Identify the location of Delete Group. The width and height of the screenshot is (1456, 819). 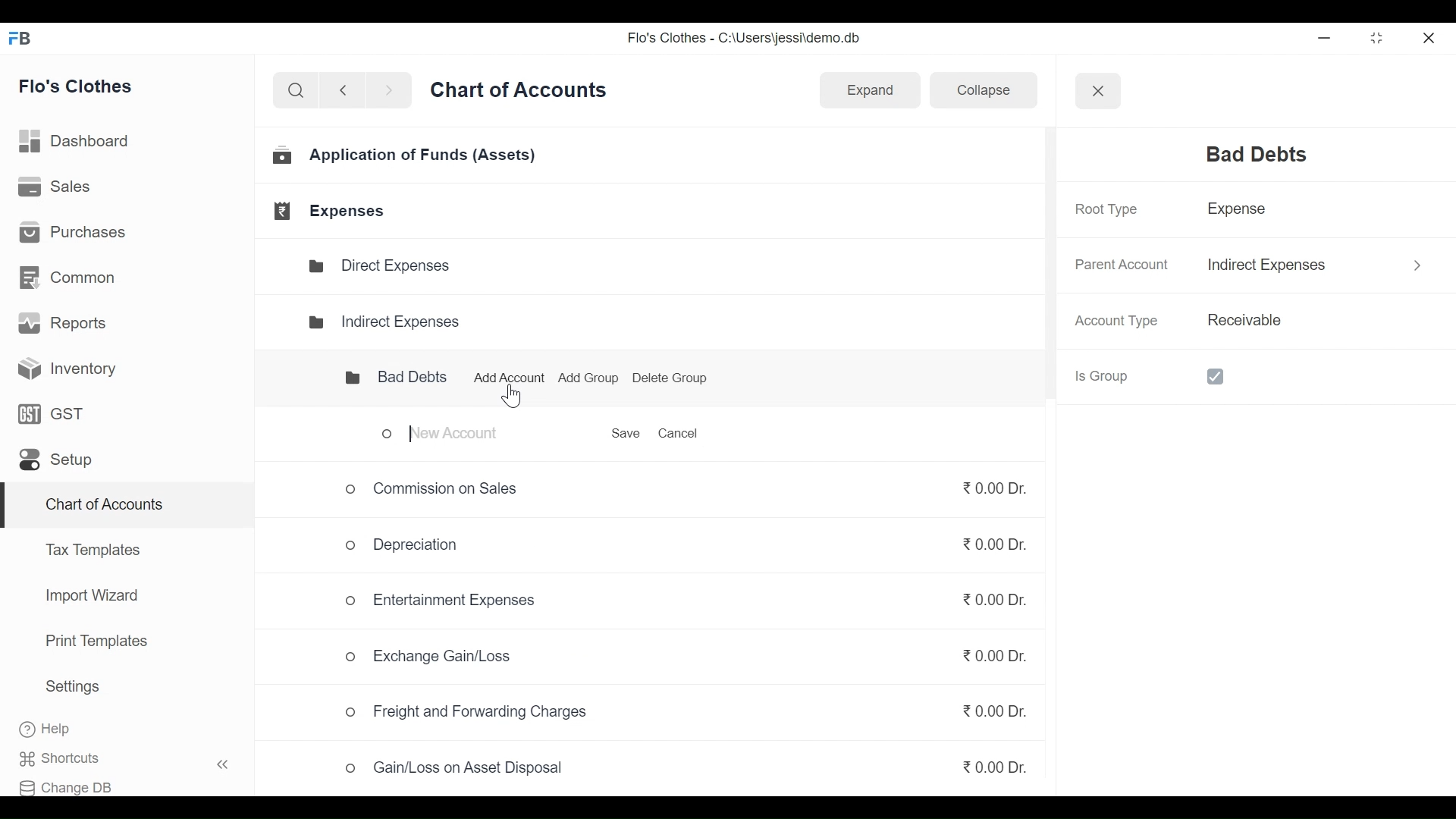
(673, 378).